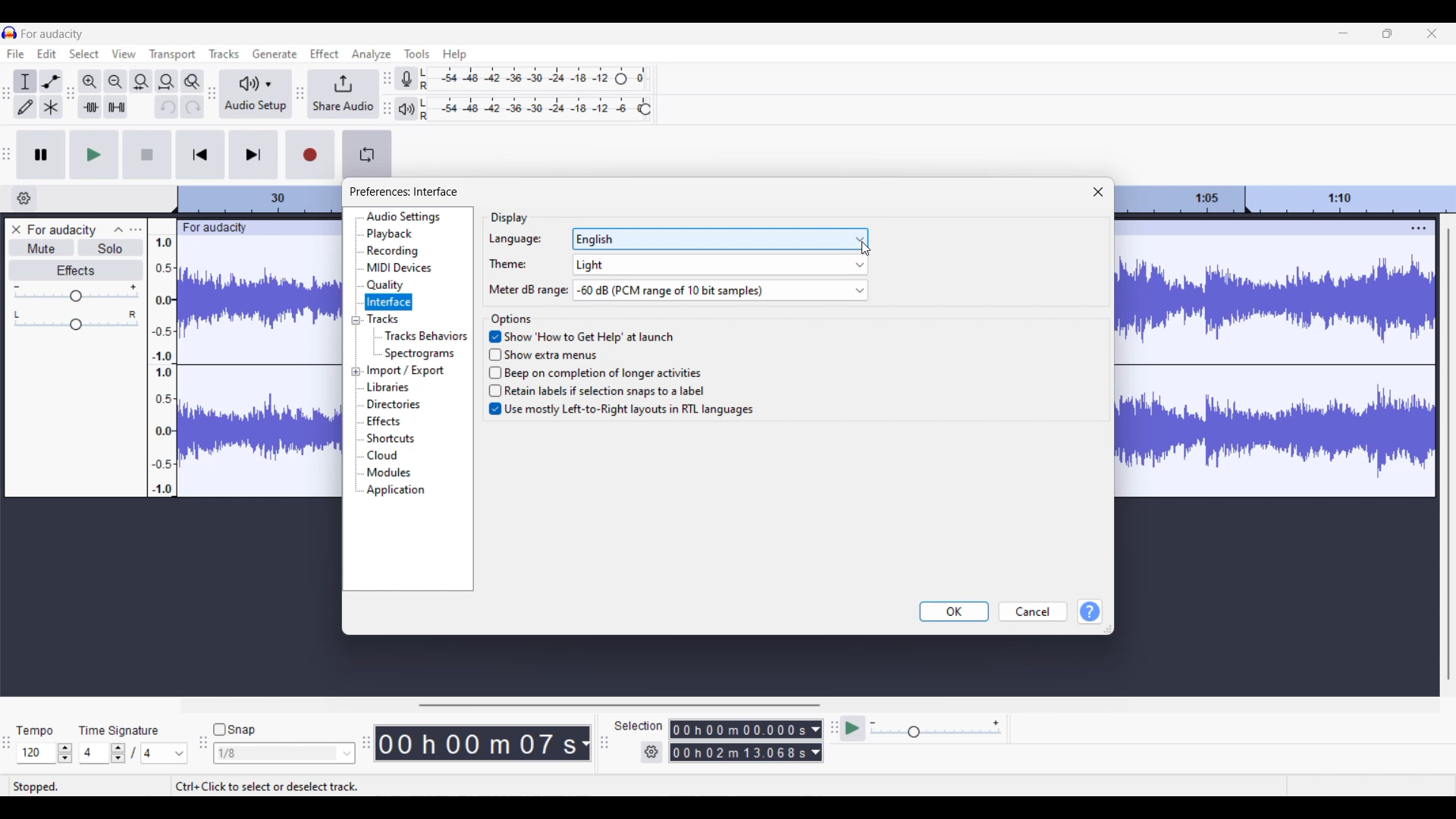 This screenshot has width=1456, height=819. What do you see at coordinates (111, 248) in the screenshot?
I see `Solo` at bounding box center [111, 248].